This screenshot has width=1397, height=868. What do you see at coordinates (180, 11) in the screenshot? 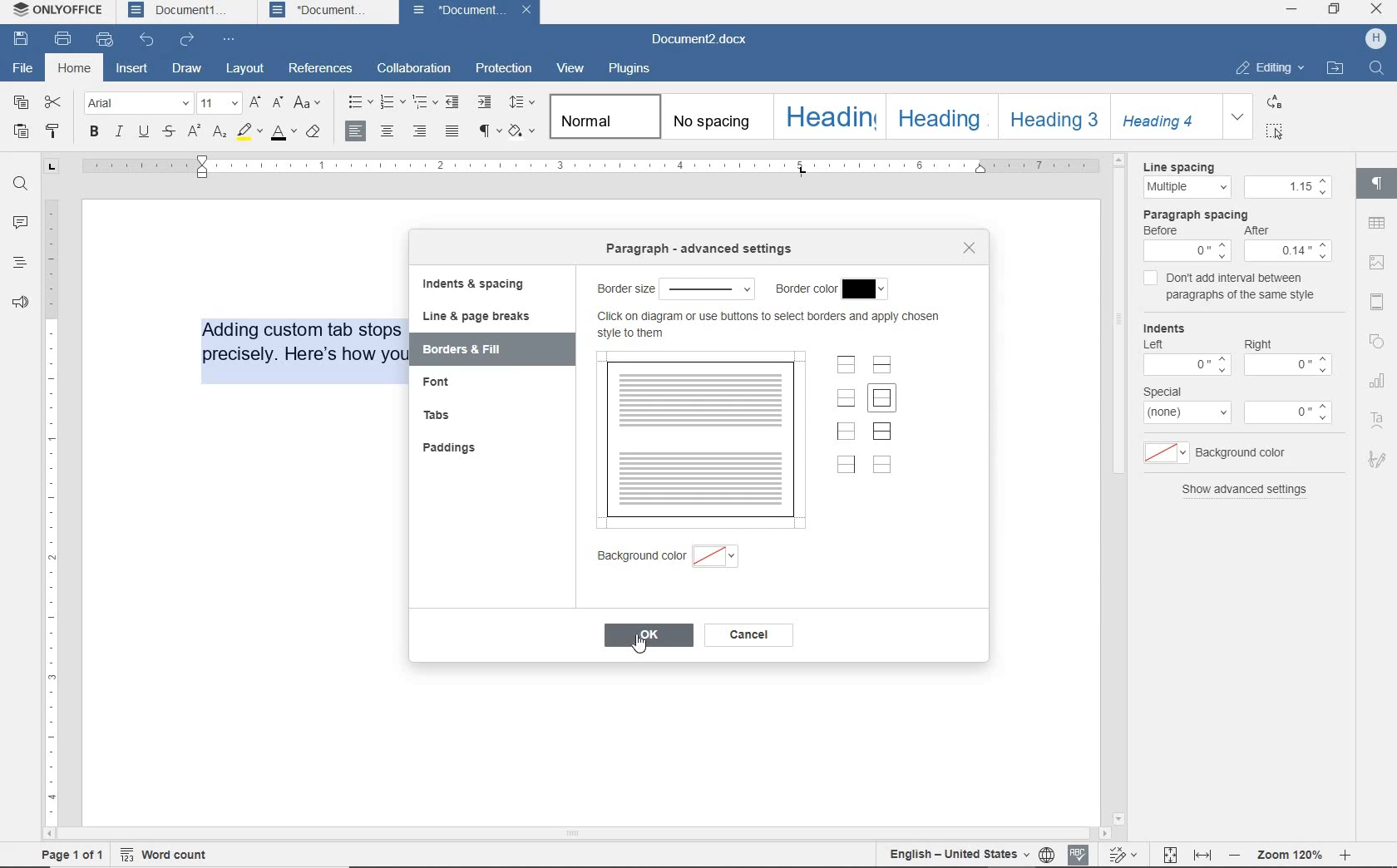
I see `Document1 tab` at bounding box center [180, 11].